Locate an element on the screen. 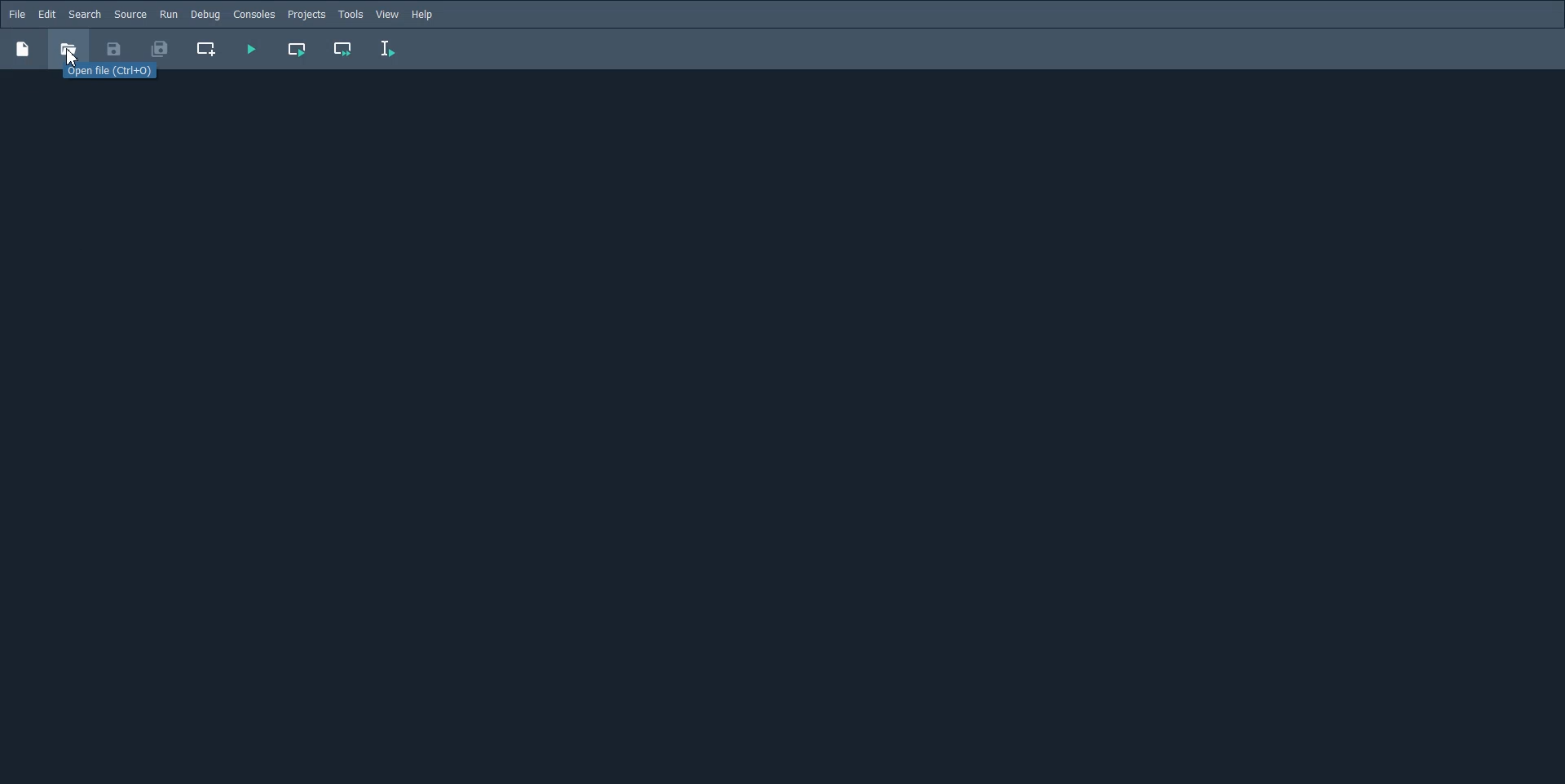 The width and height of the screenshot is (1565, 784). Projects is located at coordinates (306, 15).